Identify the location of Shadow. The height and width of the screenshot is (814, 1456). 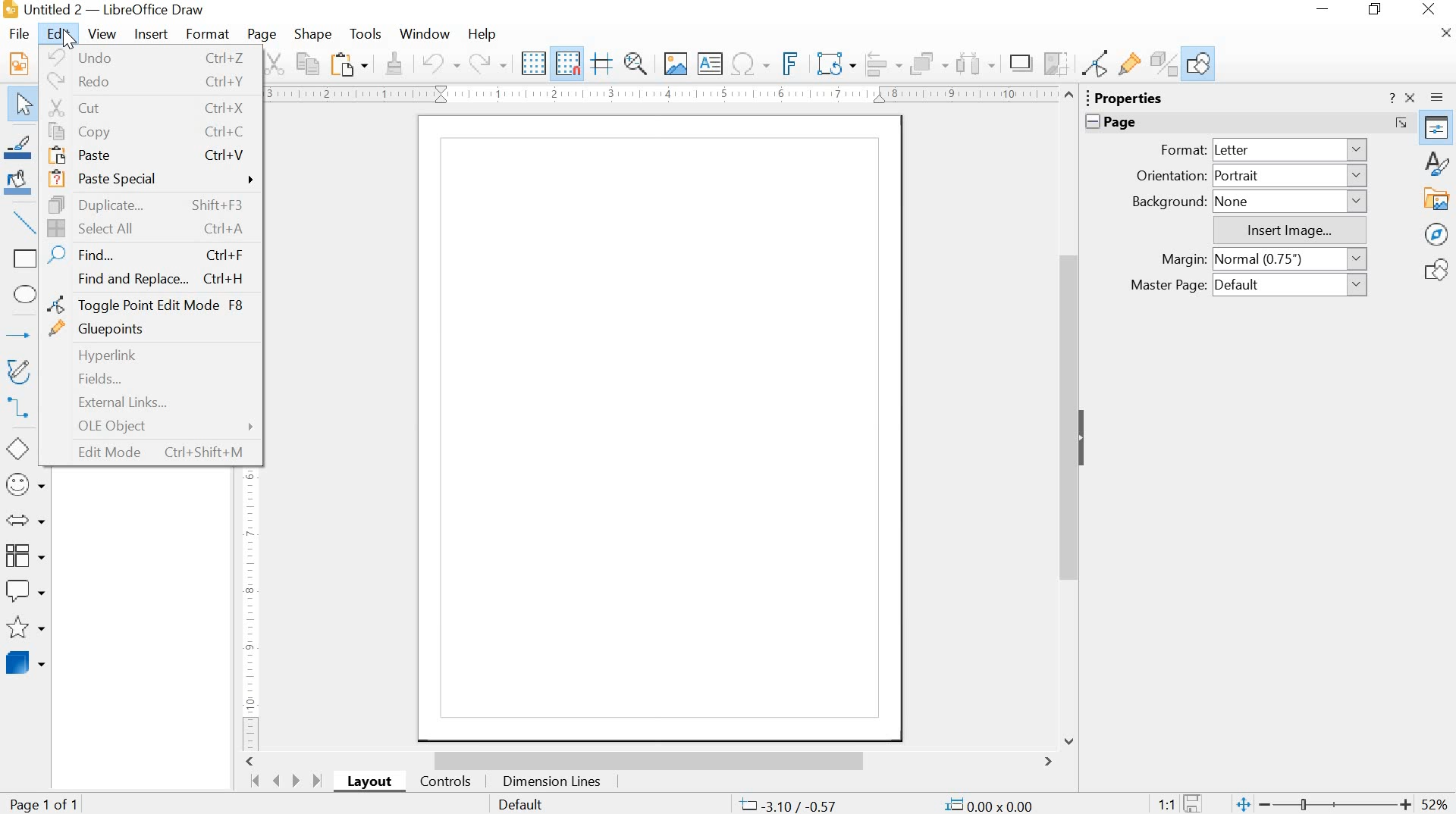
(1019, 62).